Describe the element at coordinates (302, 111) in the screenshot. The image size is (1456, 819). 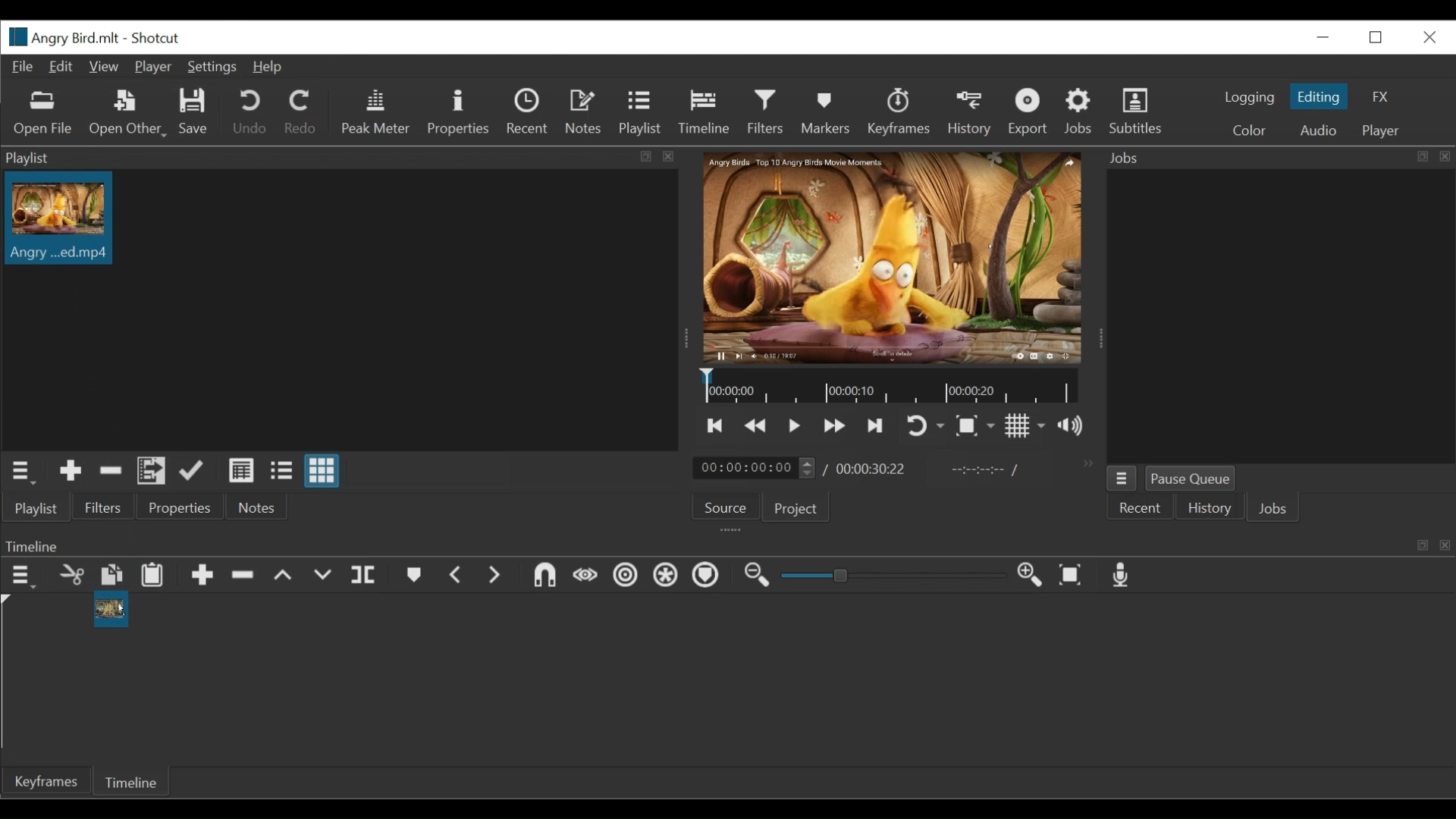
I see `Redo` at that location.